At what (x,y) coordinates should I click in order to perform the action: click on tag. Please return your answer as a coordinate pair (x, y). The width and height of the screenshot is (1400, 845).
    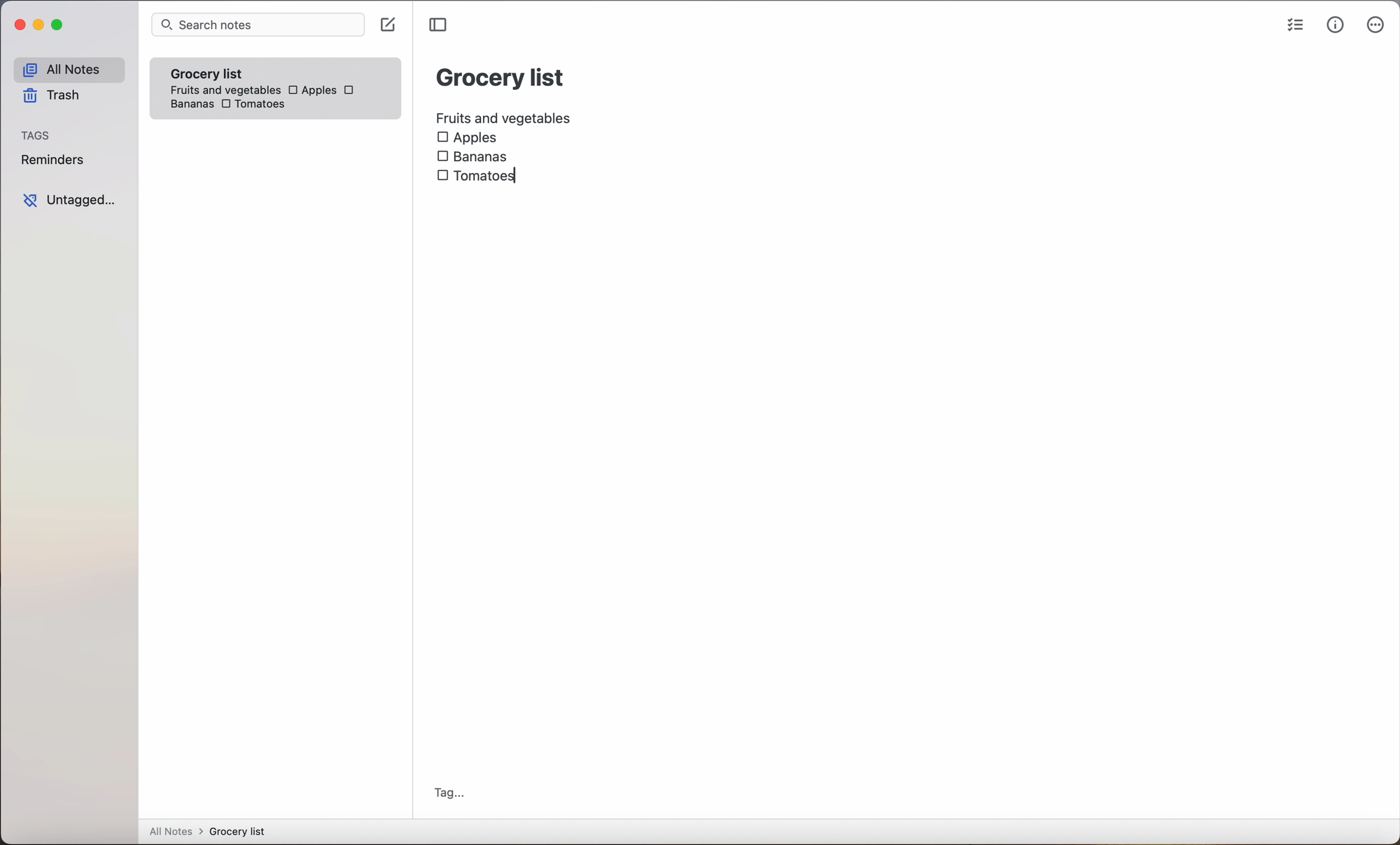
    Looking at the image, I should click on (449, 793).